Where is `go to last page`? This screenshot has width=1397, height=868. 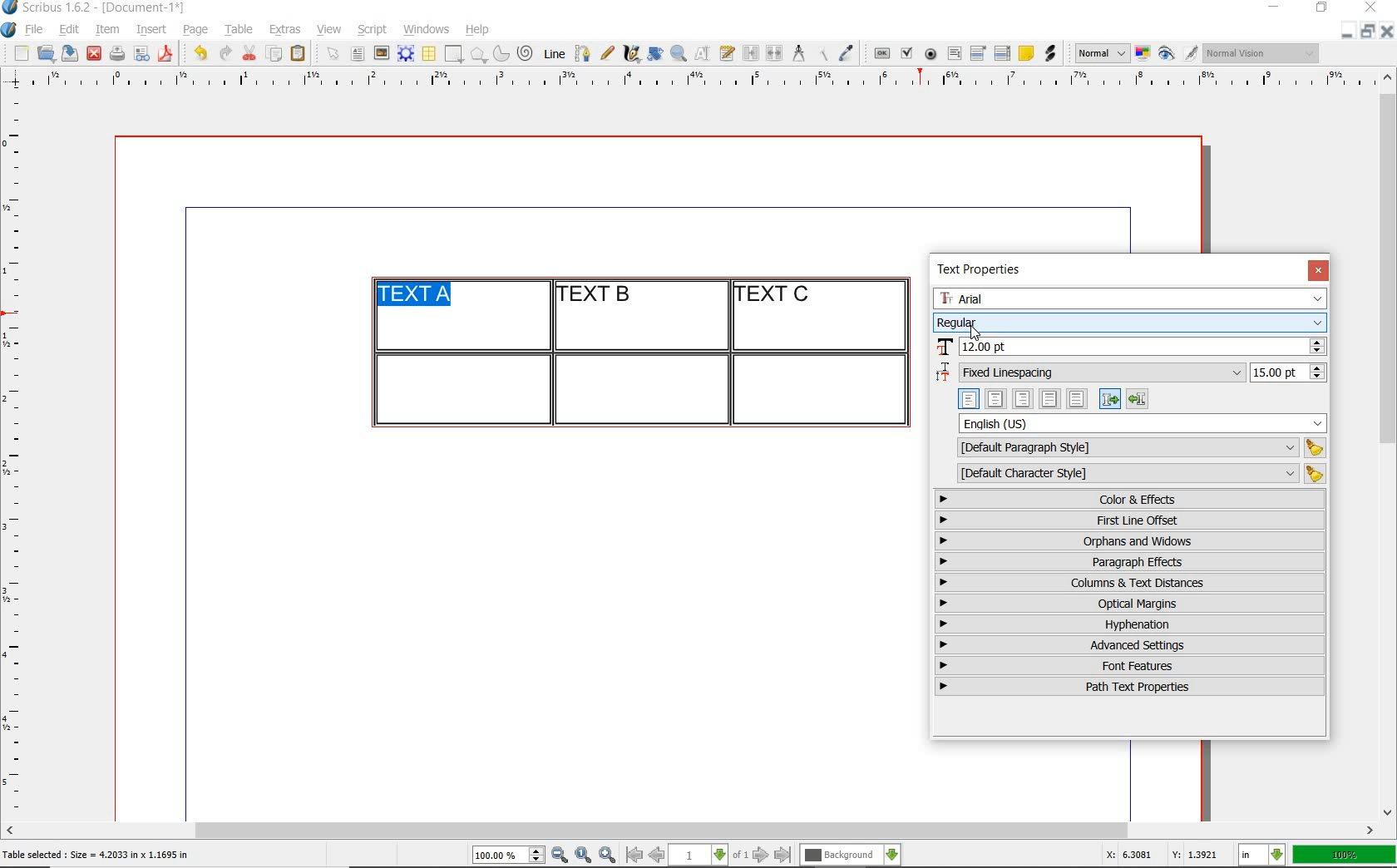
go to last page is located at coordinates (783, 856).